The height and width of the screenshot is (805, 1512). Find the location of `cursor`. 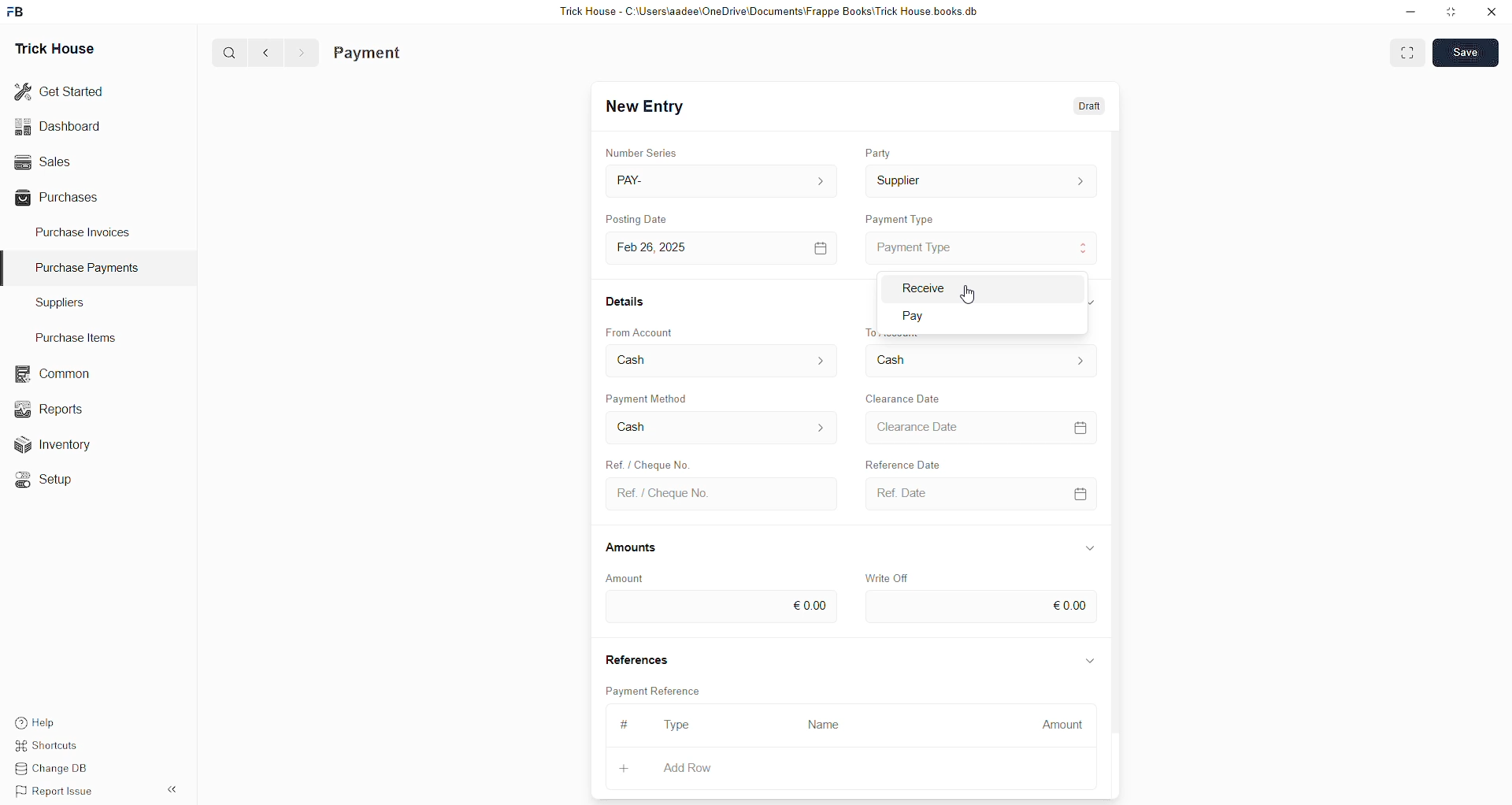

cursor is located at coordinates (975, 296).